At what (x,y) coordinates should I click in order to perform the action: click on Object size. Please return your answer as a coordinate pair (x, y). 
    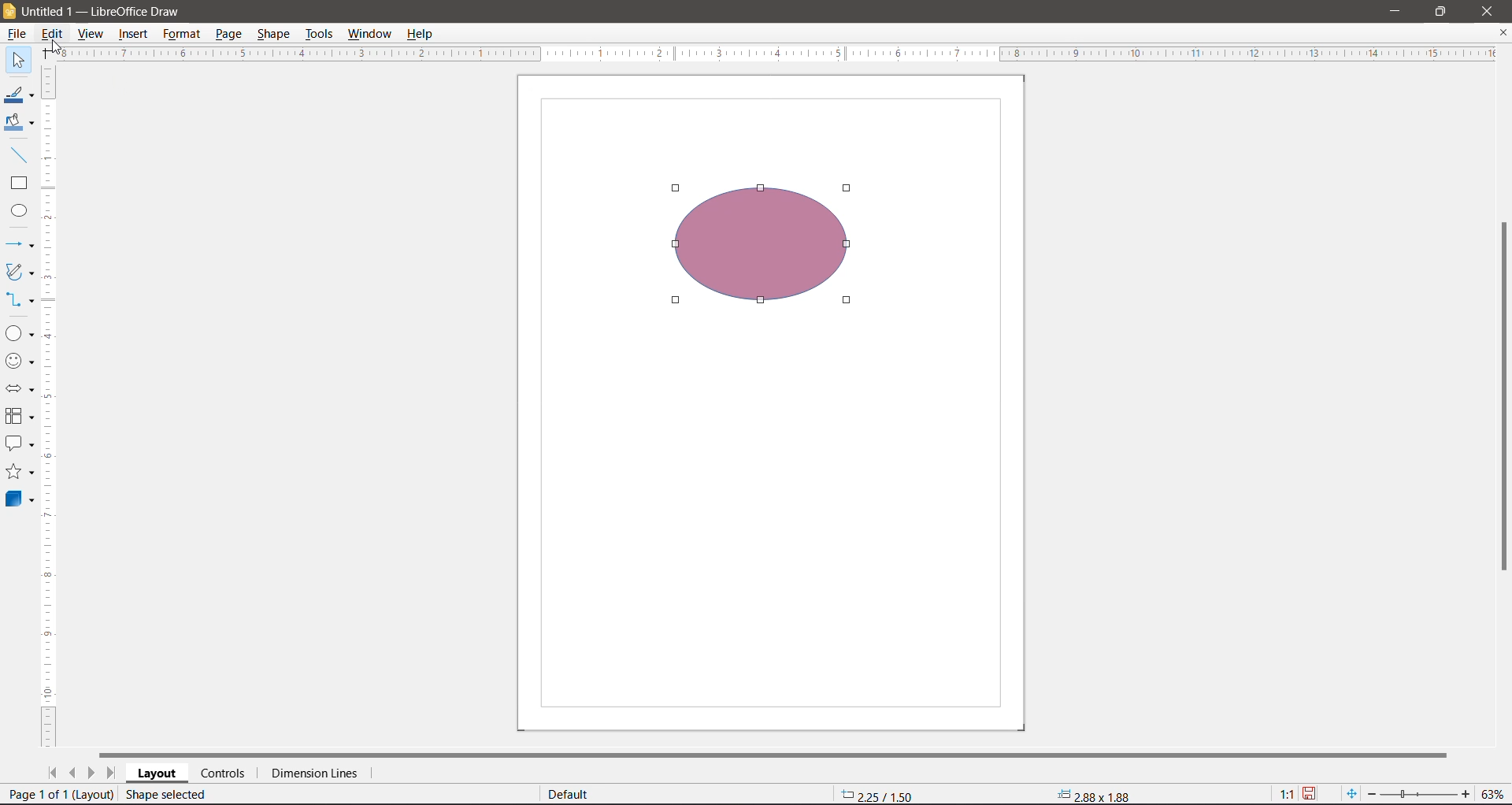
    Looking at the image, I should click on (1097, 796).